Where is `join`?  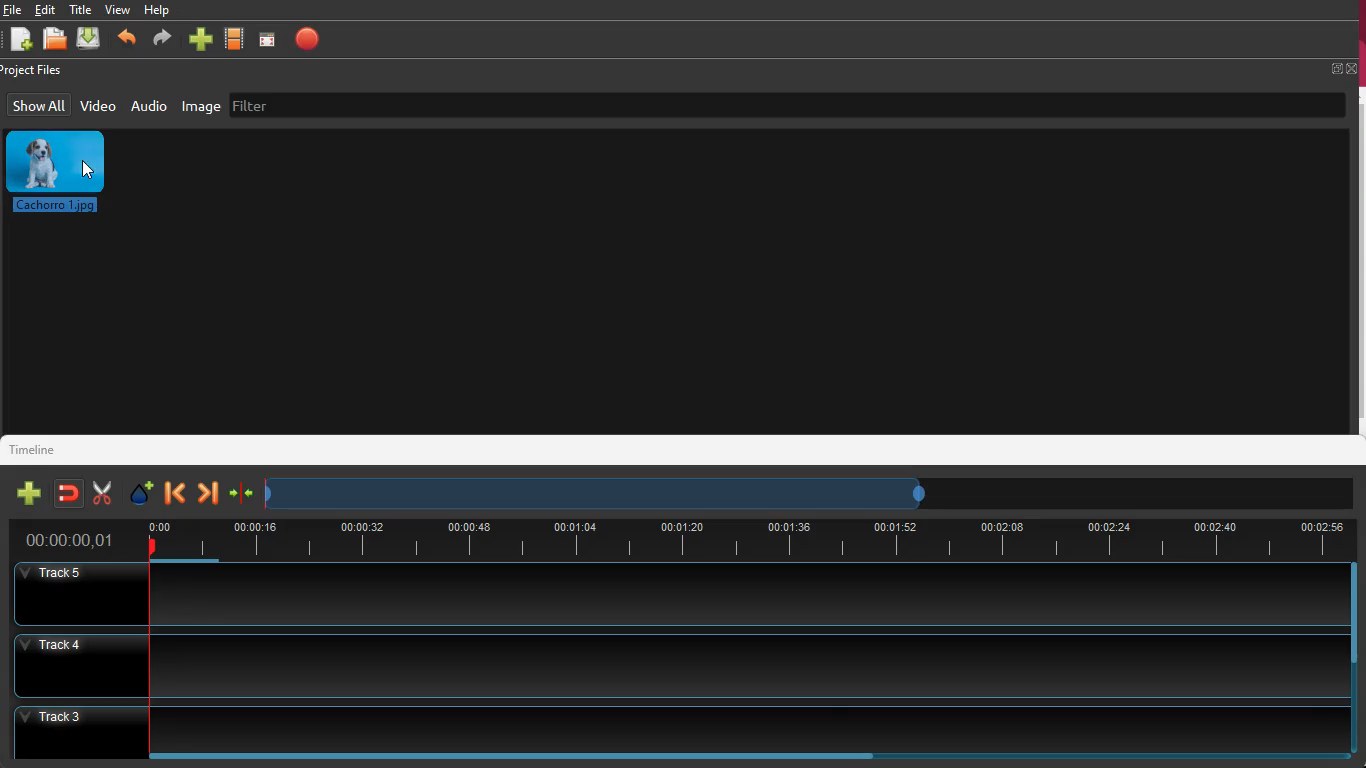
join is located at coordinates (242, 493).